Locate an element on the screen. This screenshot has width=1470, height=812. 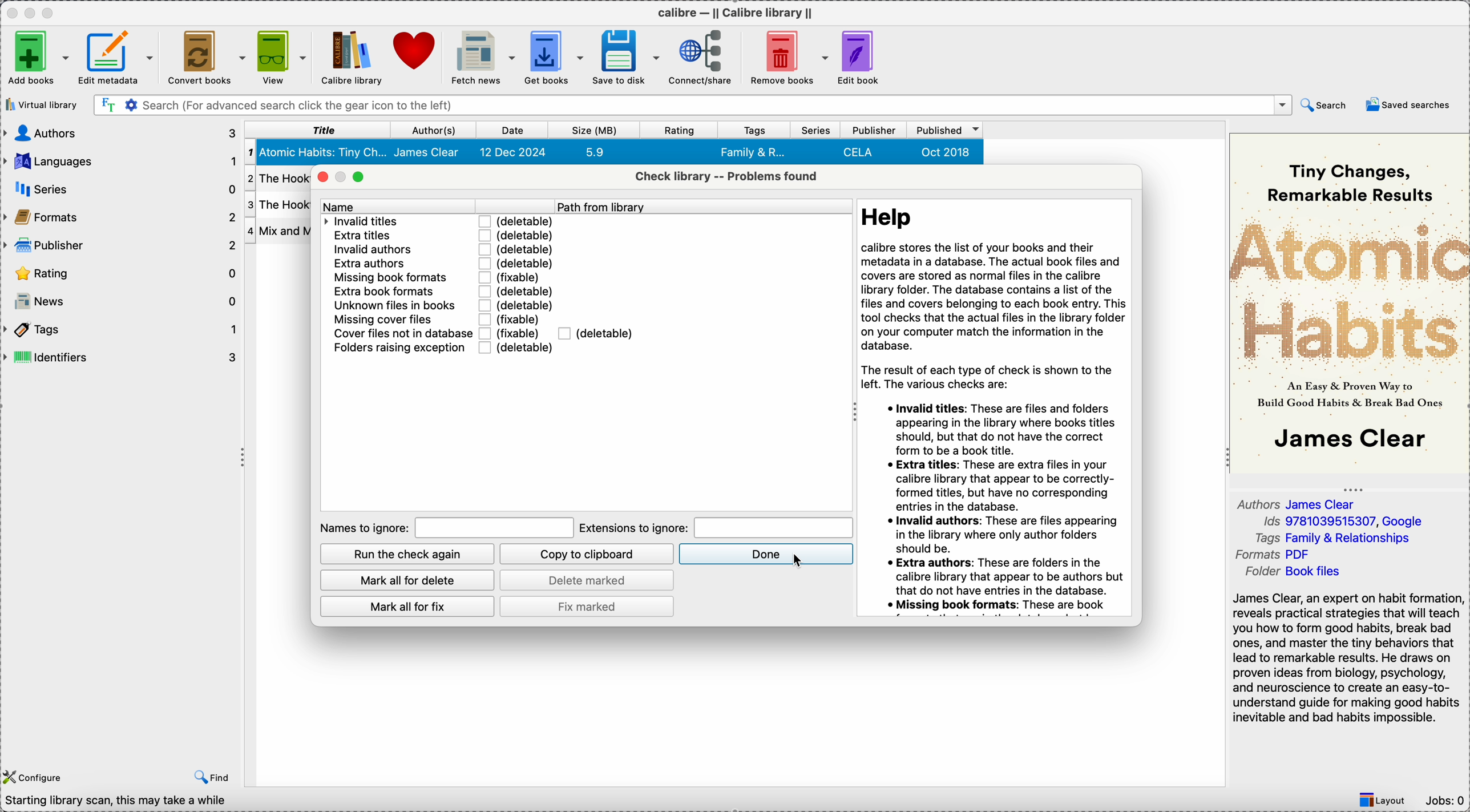
deletable is located at coordinates (516, 249).